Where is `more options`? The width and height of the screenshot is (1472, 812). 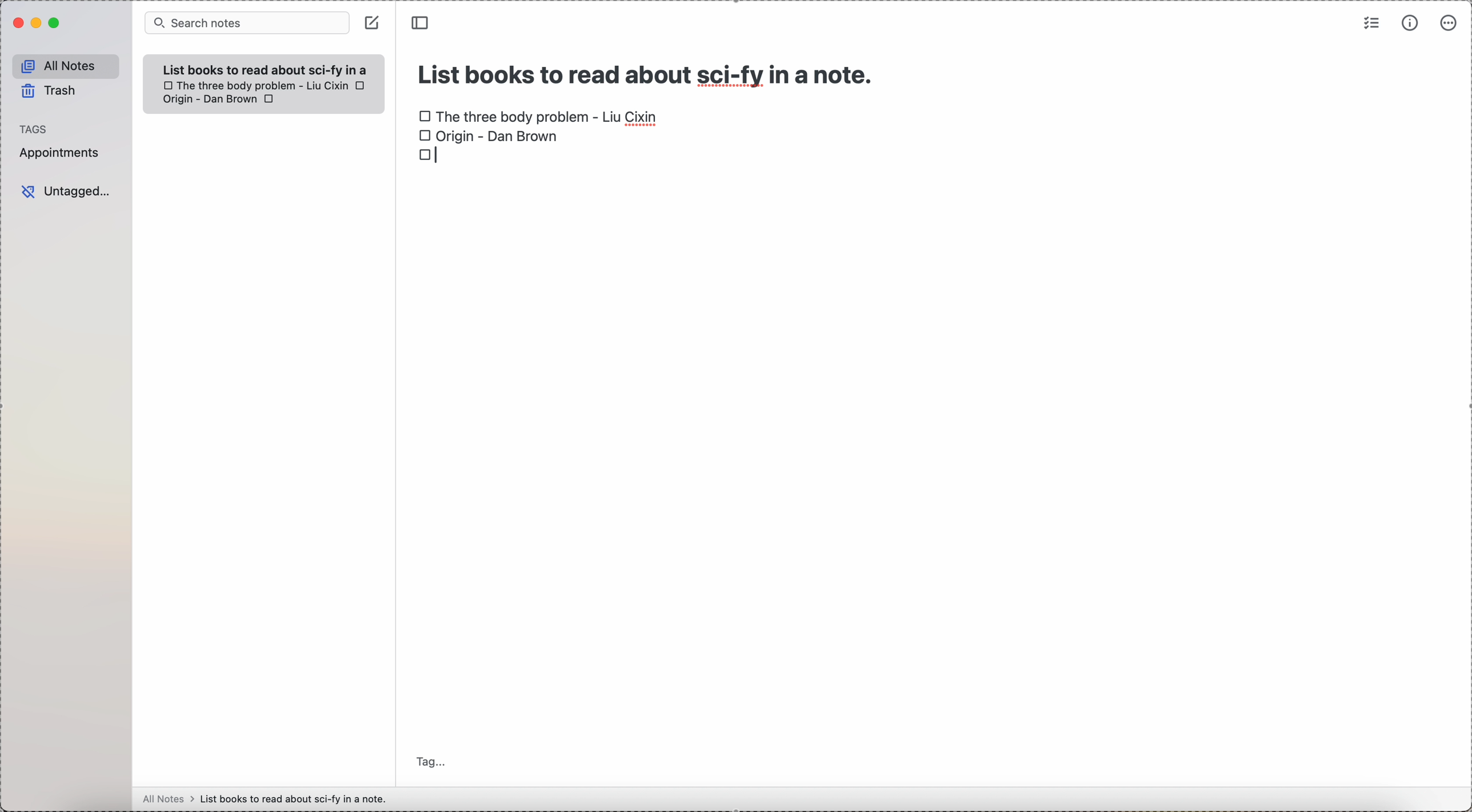 more options is located at coordinates (1447, 24).